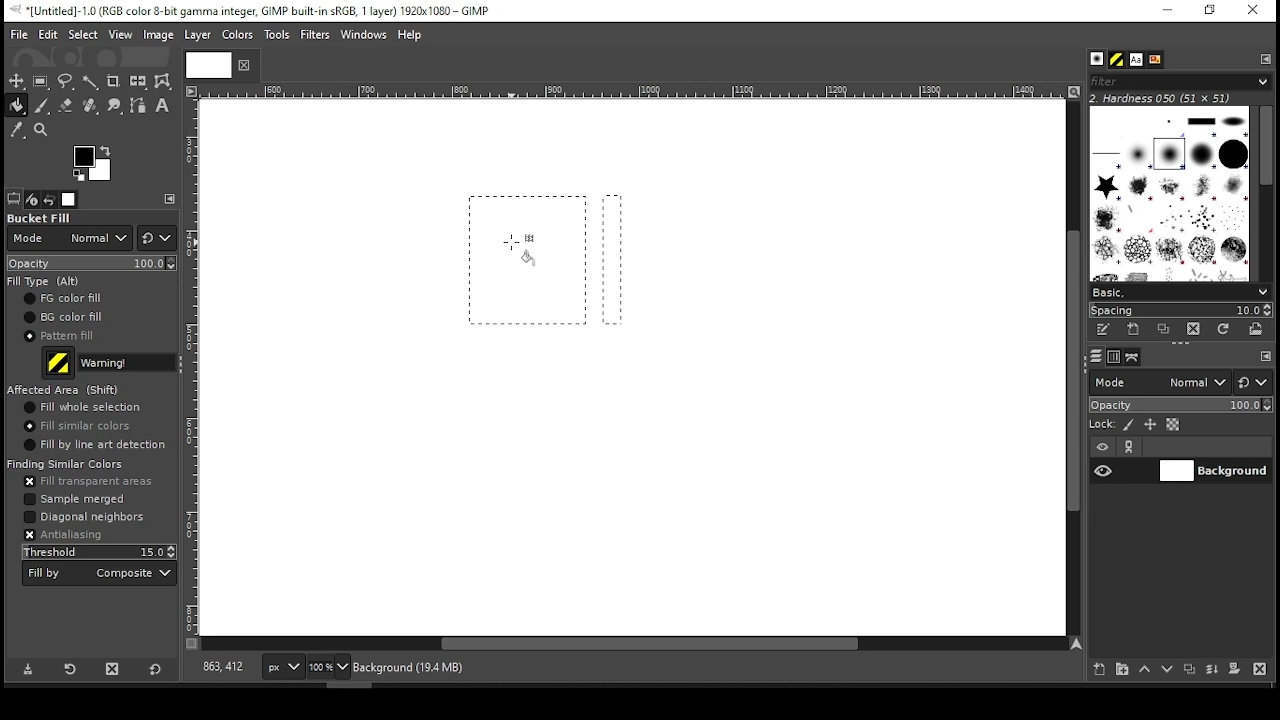 This screenshot has width=1280, height=720. Describe the element at coordinates (162, 107) in the screenshot. I see `text tool` at that location.